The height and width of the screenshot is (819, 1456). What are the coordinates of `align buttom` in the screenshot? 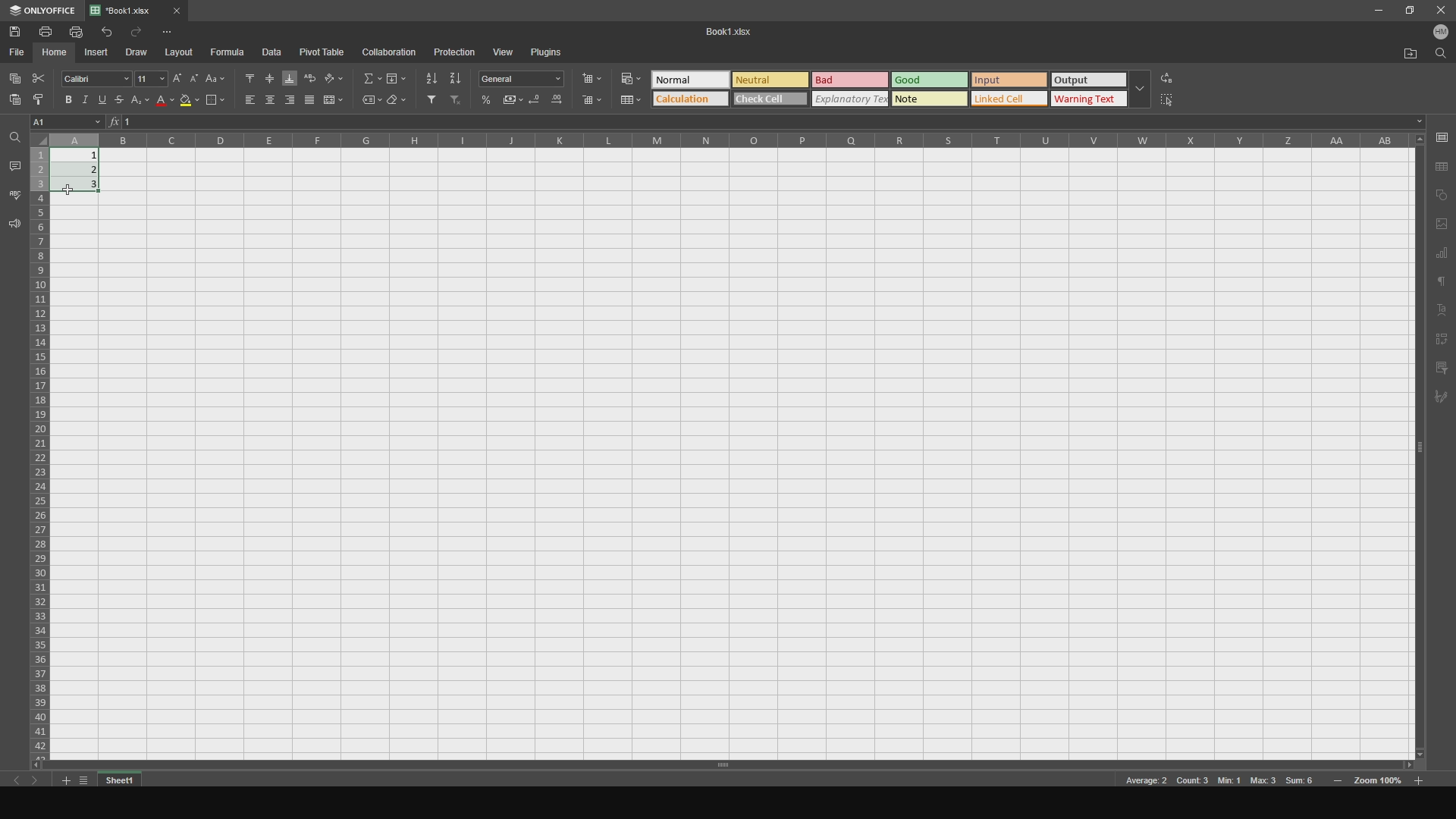 It's located at (288, 76).